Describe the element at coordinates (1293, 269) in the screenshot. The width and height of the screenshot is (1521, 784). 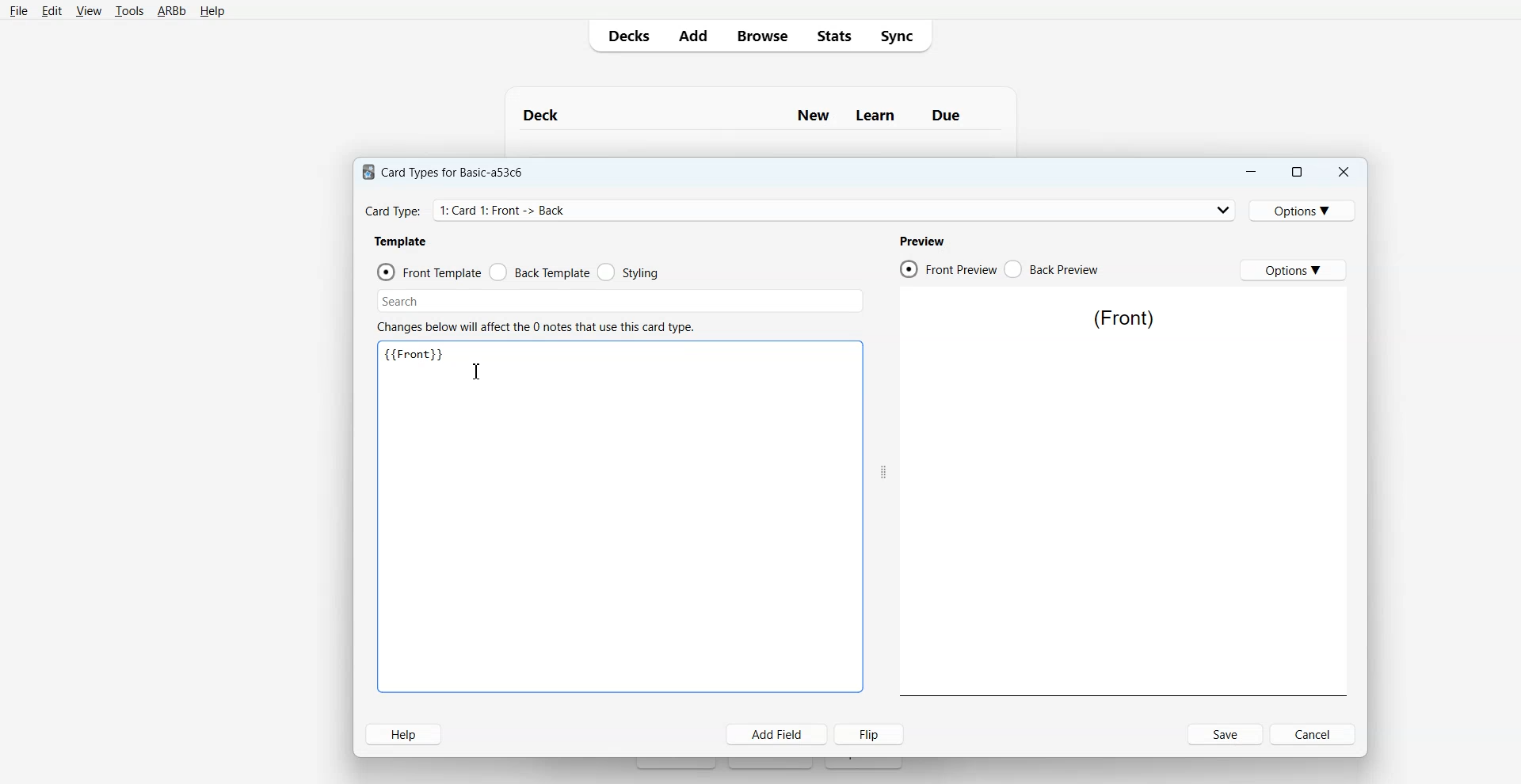
I see `Options` at that location.